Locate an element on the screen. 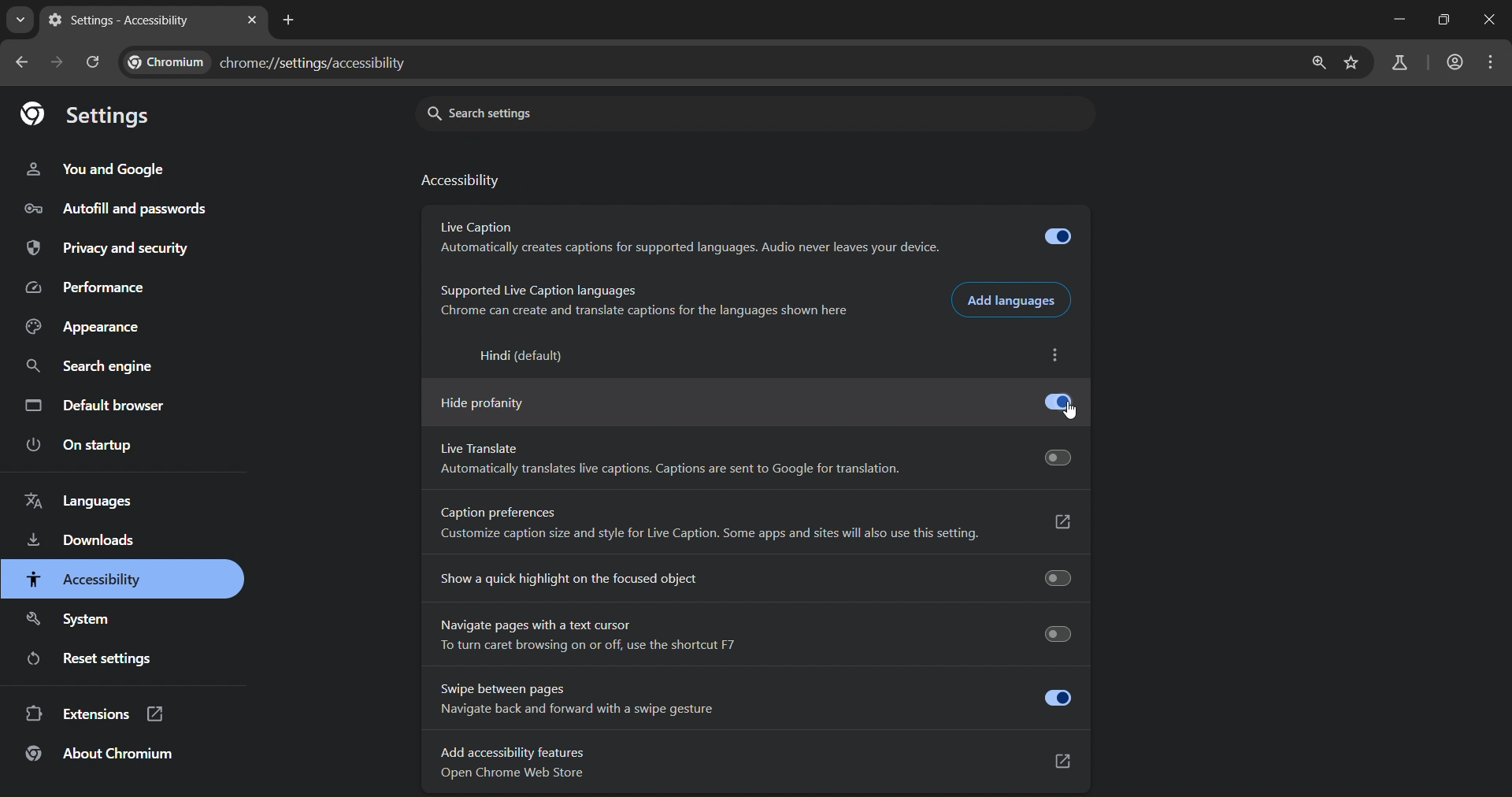 This screenshot has height=797, width=1512. autofill and passwords is located at coordinates (117, 206).